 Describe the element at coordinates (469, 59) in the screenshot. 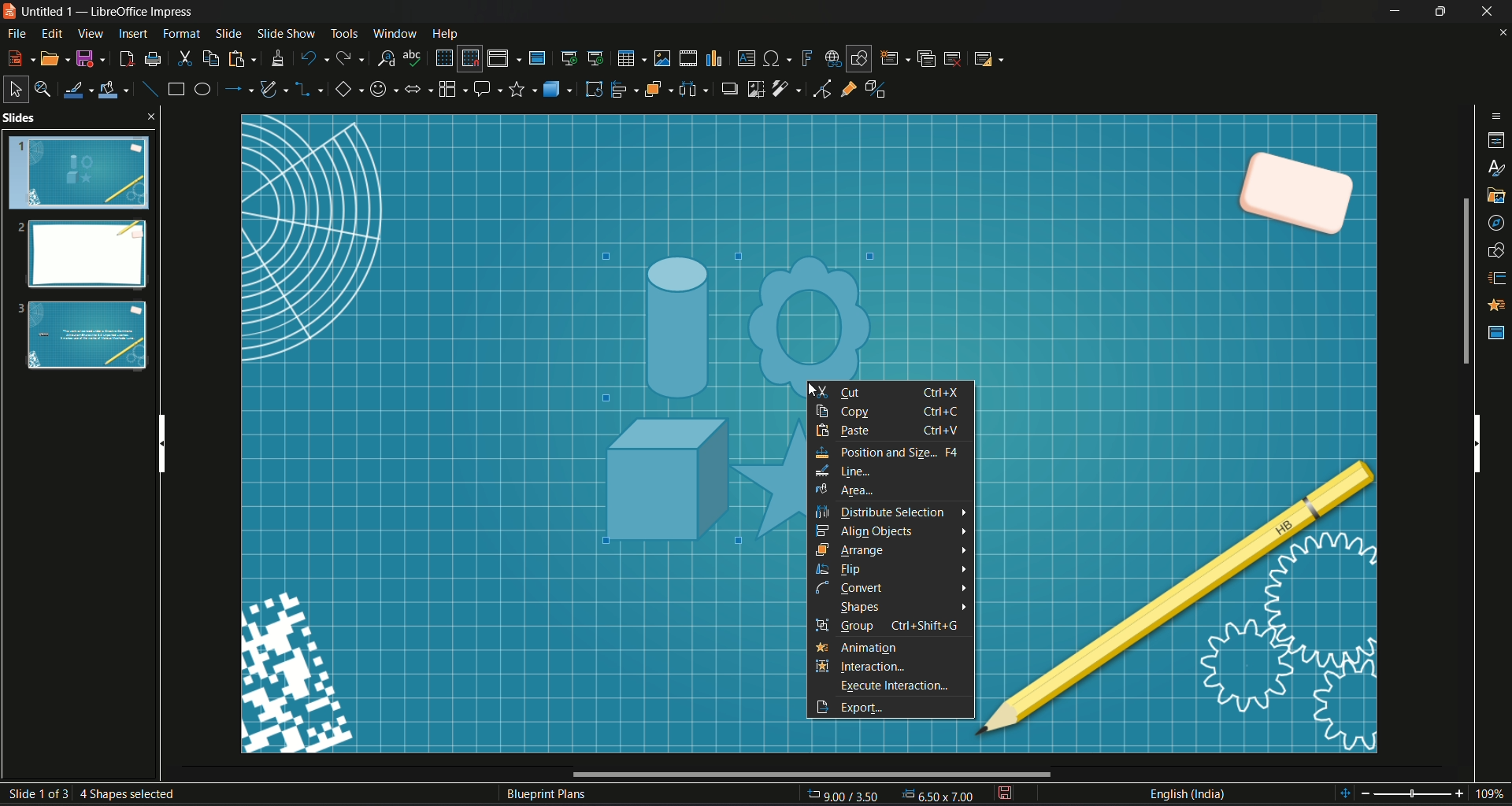

I see `snap to grid` at that location.